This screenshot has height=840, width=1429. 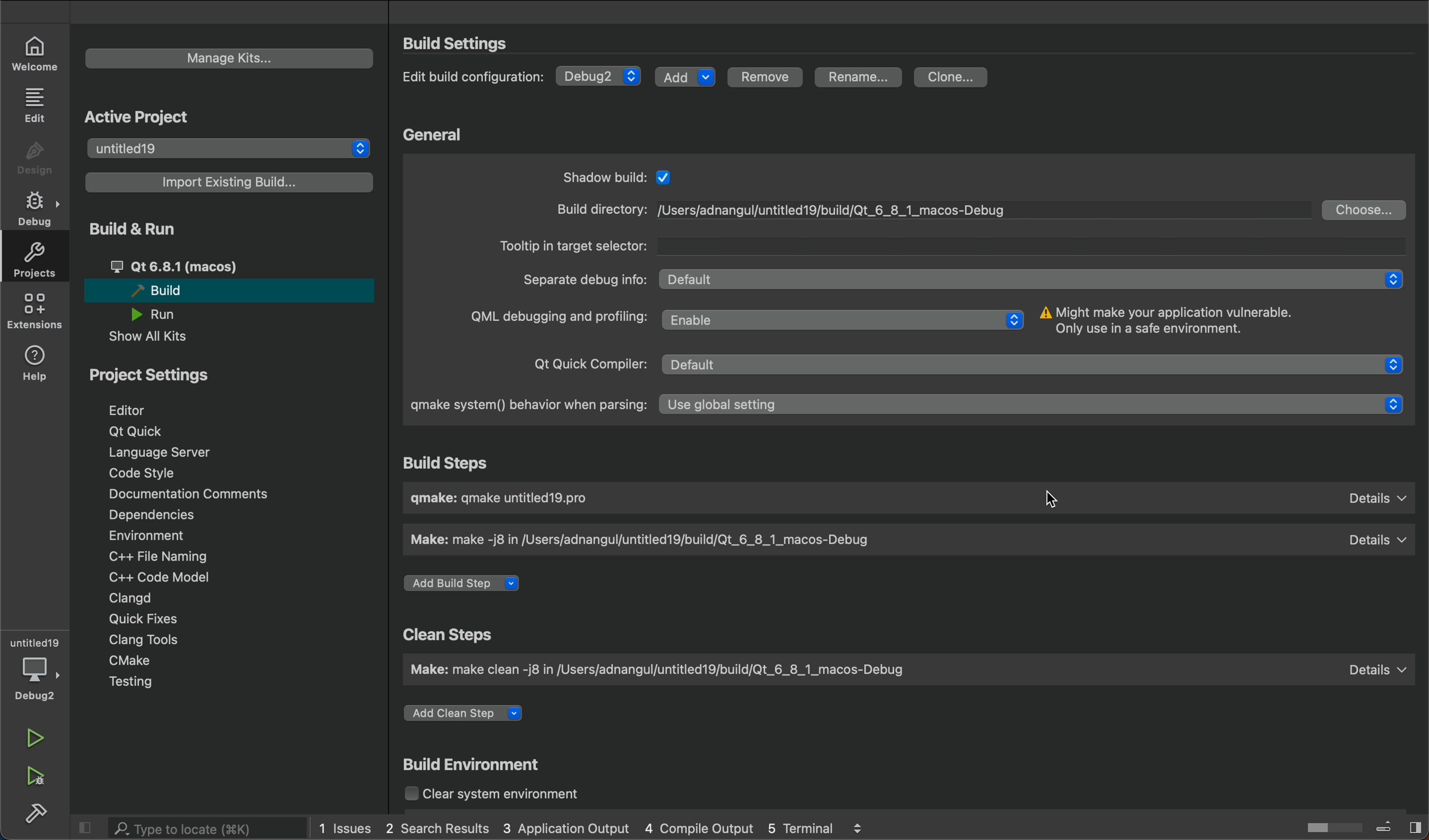 What do you see at coordinates (1020, 278) in the screenshot?
I see `default` at bounding box center [1020, 278].